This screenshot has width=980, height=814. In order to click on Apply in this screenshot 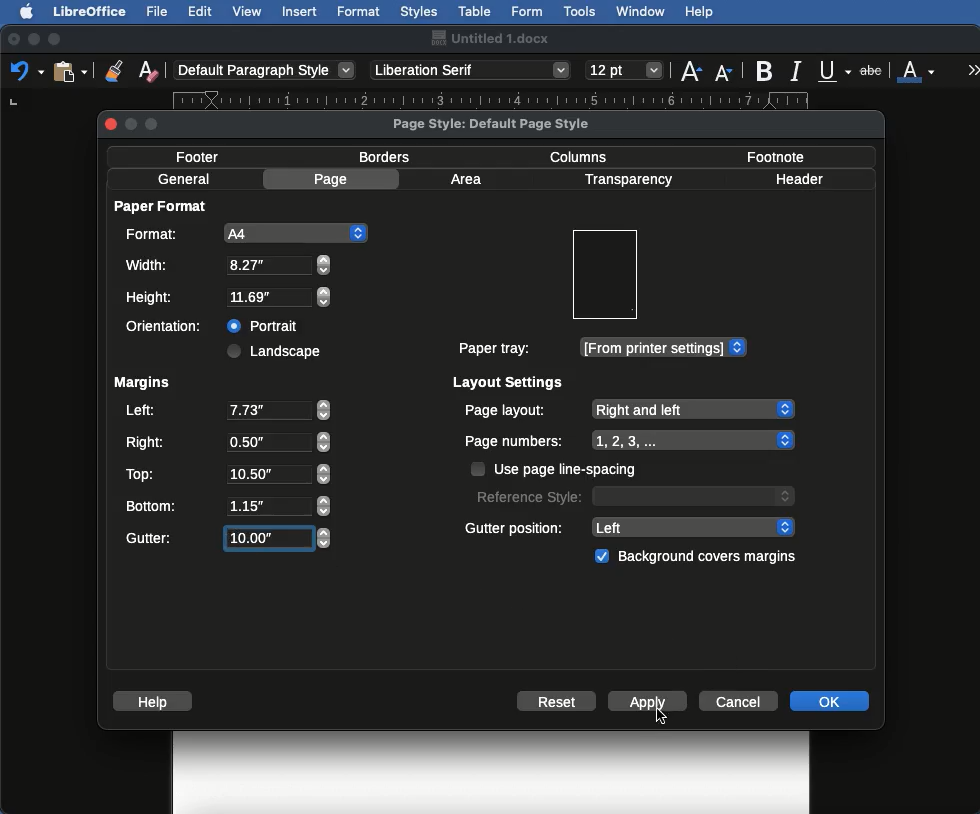, I will do `click(652, 701)`.